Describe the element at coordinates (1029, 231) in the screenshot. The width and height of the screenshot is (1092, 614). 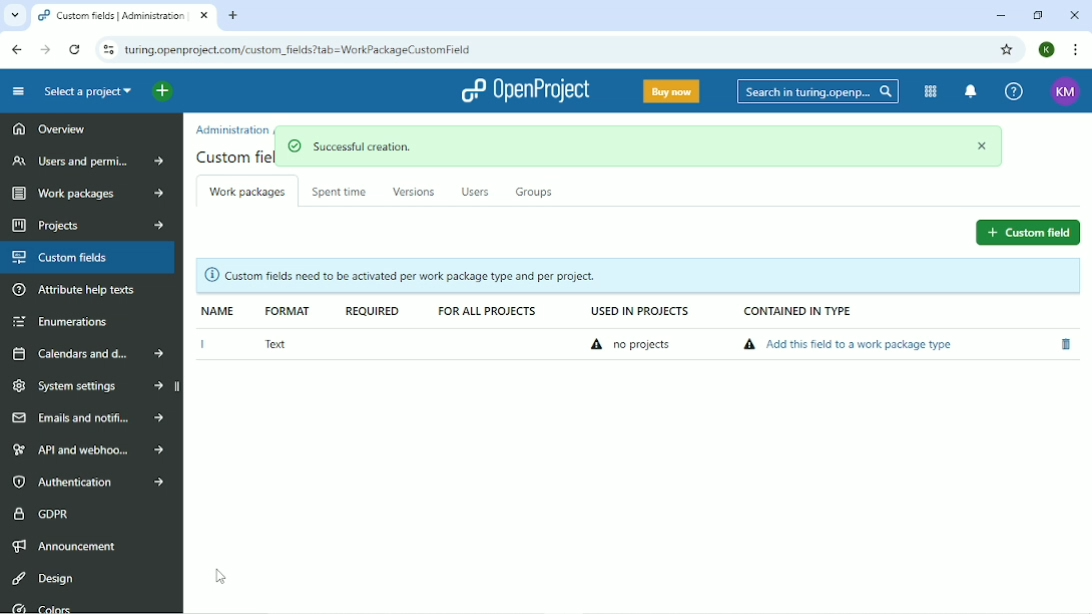
I see `Custom field` at that location.